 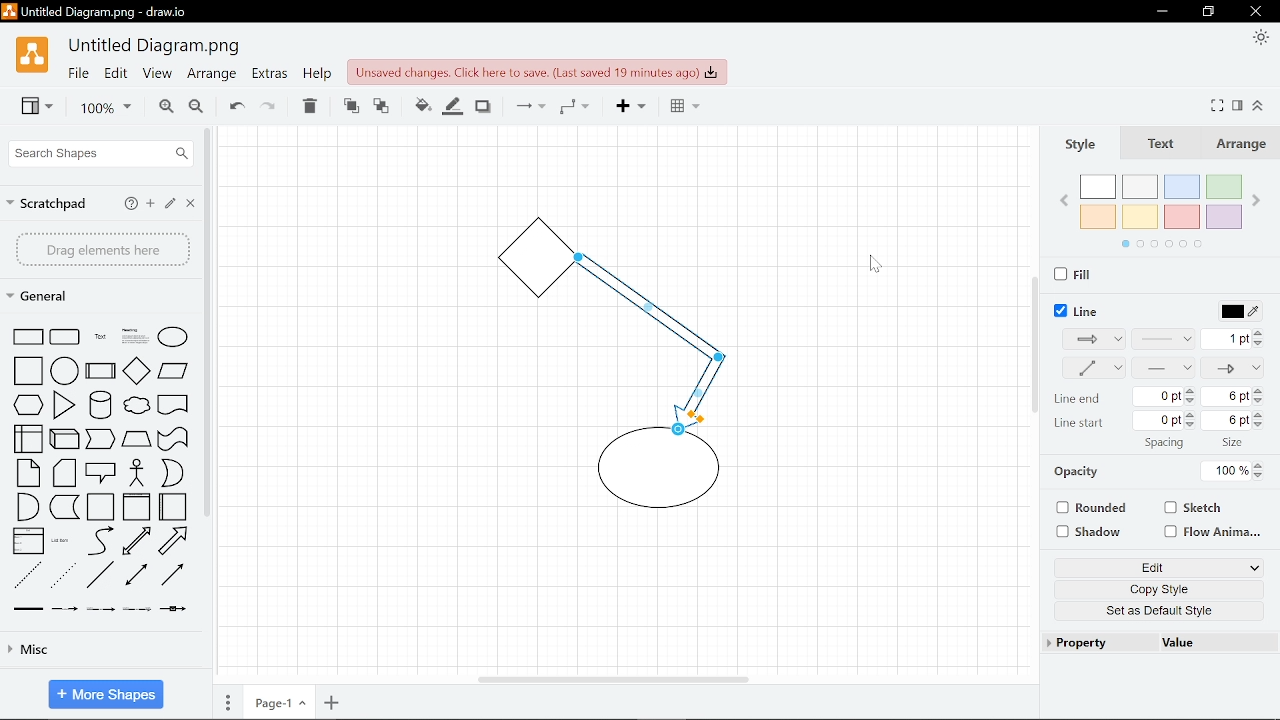 I want to click on Style, so click(x=1085, y=145).